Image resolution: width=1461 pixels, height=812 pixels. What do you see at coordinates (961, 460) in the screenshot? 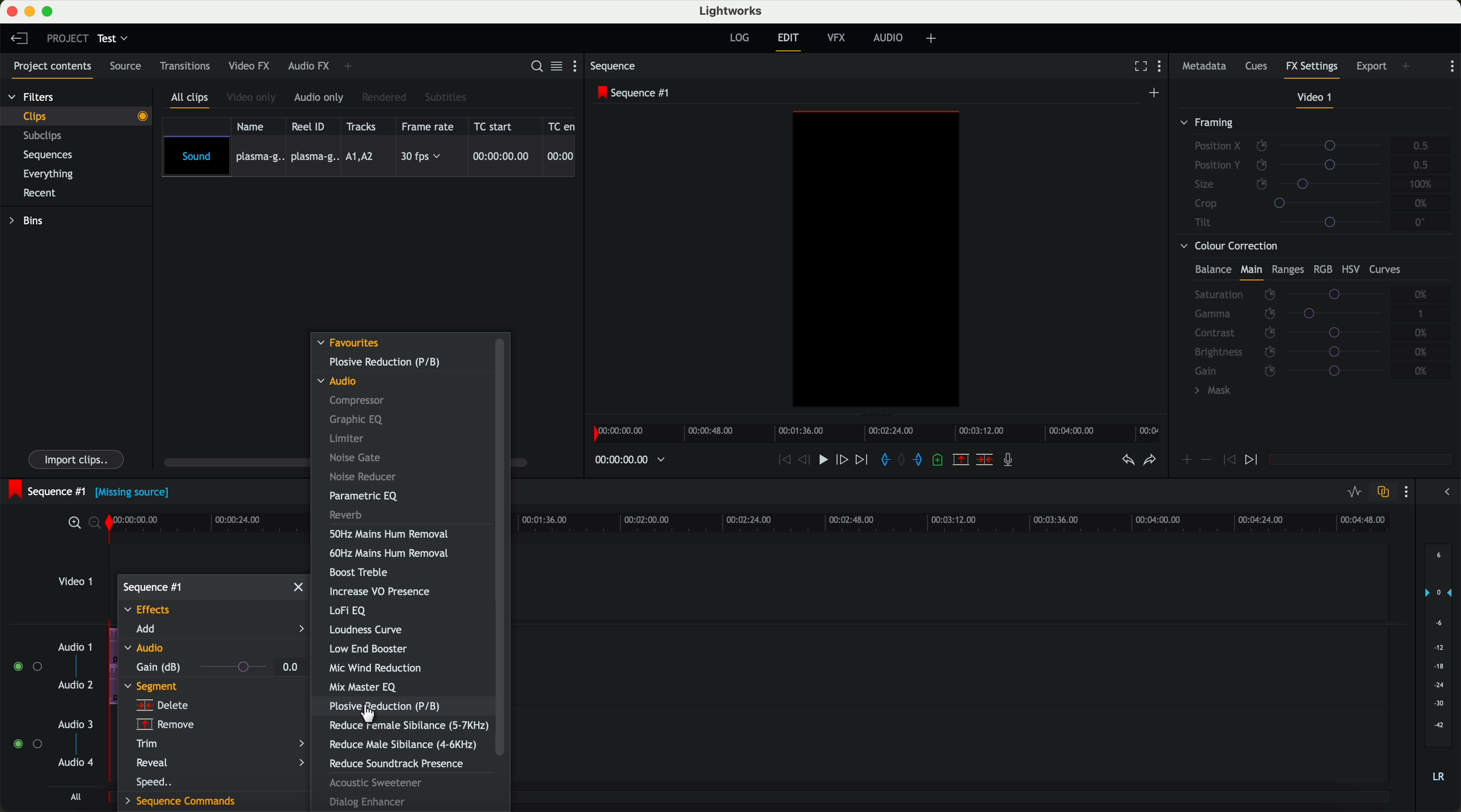
I see `remove the marked section` at bounding box center [961, 460].